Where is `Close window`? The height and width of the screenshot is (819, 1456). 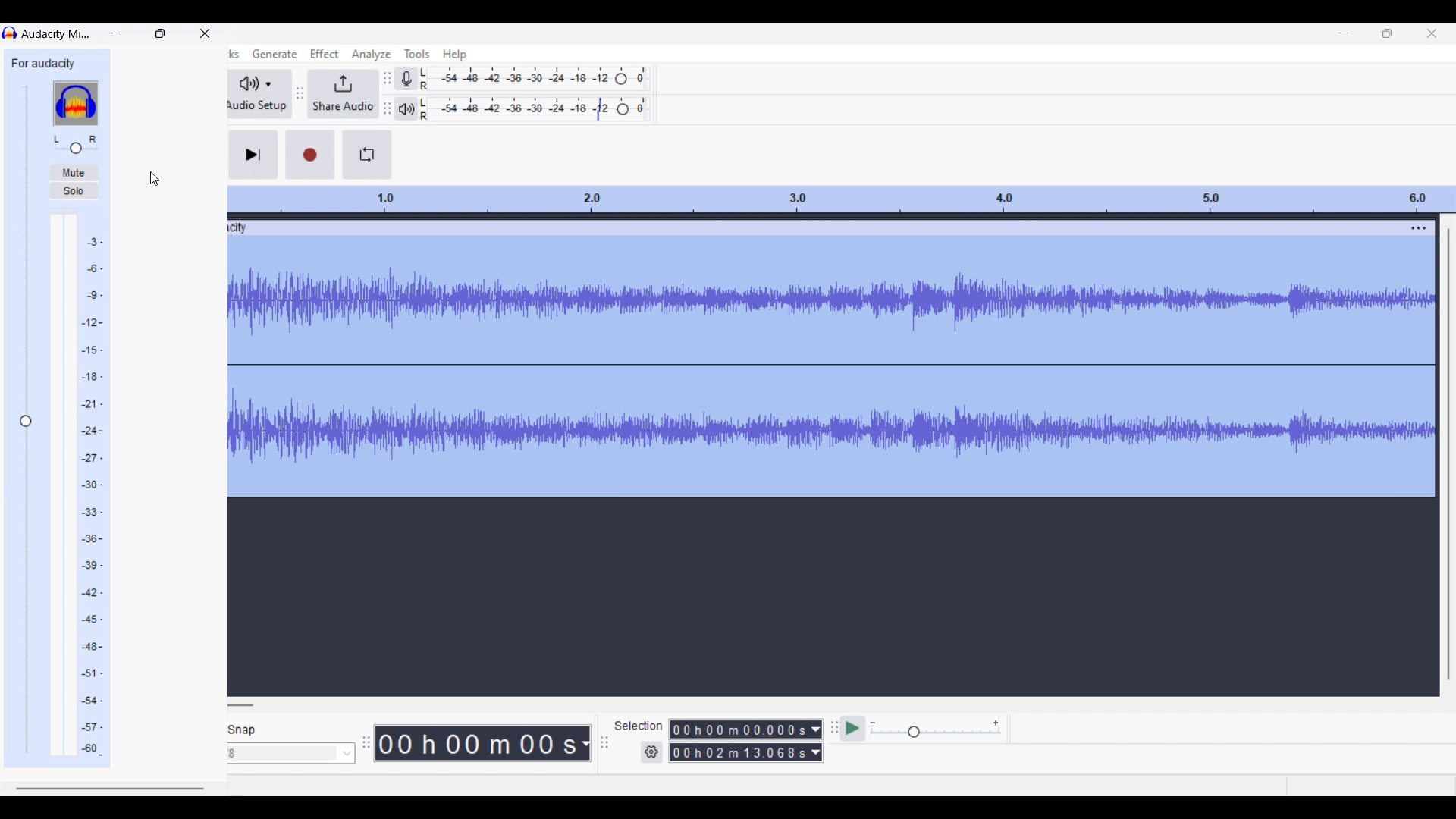 Close window is located at coordinates (205, 33).